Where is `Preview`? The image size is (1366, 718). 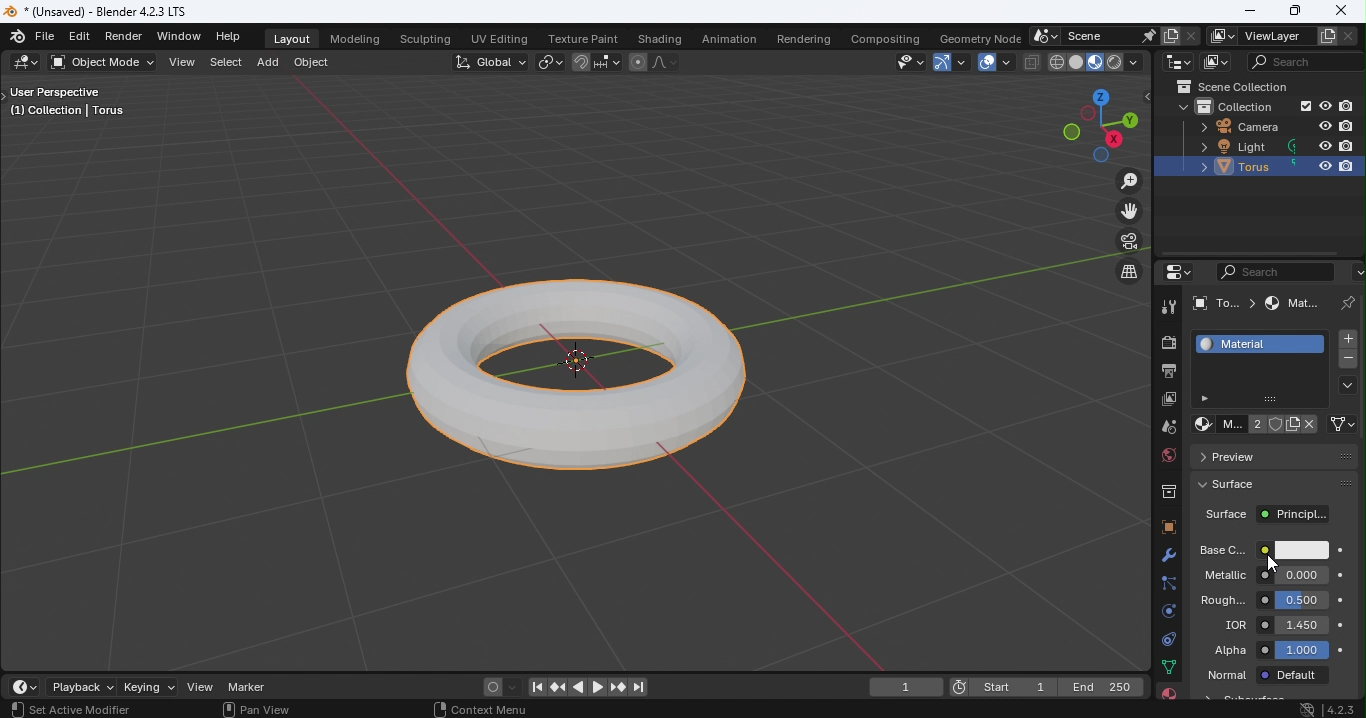 Preview is located at coordinates (1278, 455).